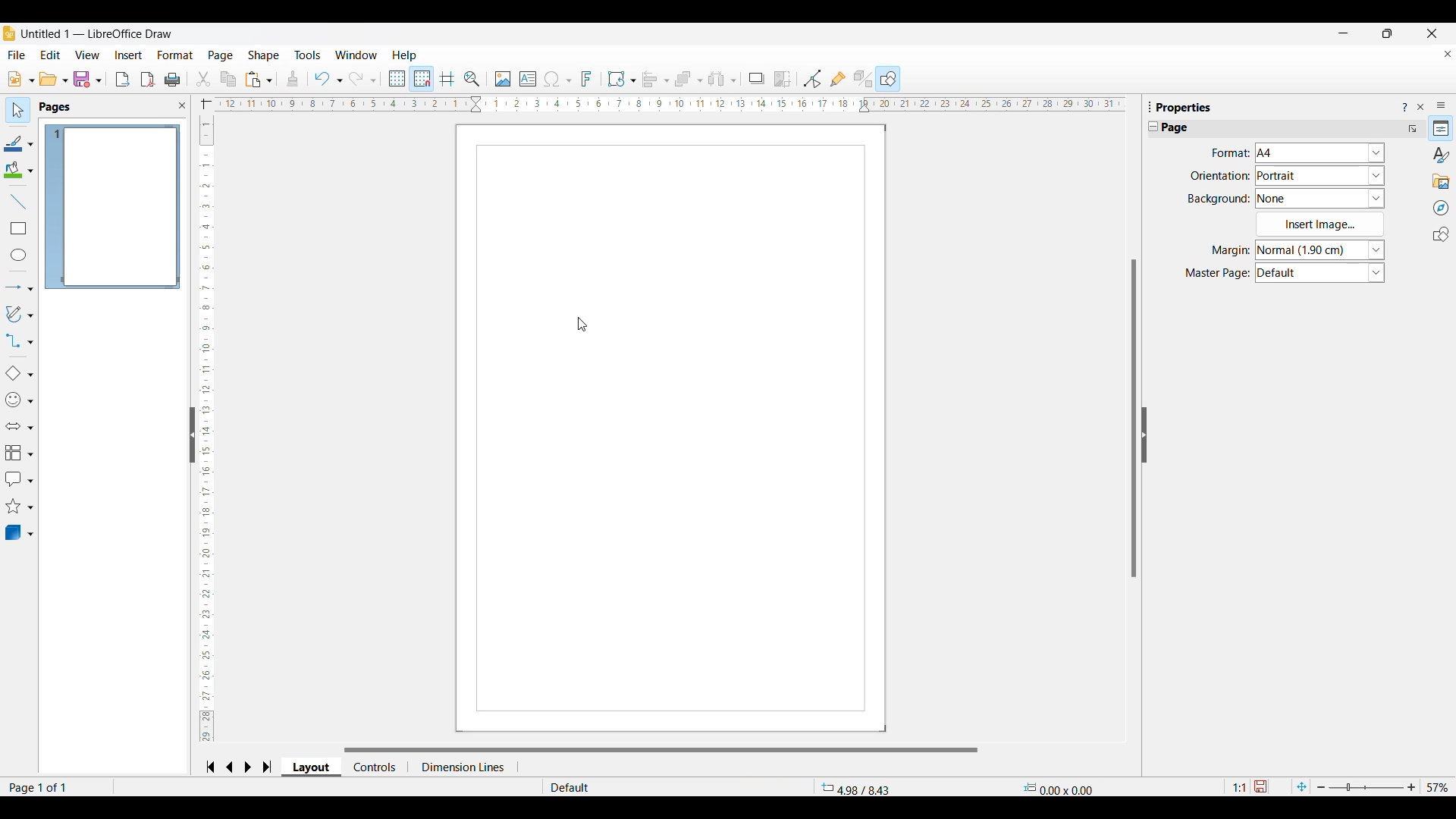 Image resolution: width=1456 pixels, height=819 pixels. Describe the element at coordinates (19, 255) in the screenshot. I see `Insert ellipse` at that location.